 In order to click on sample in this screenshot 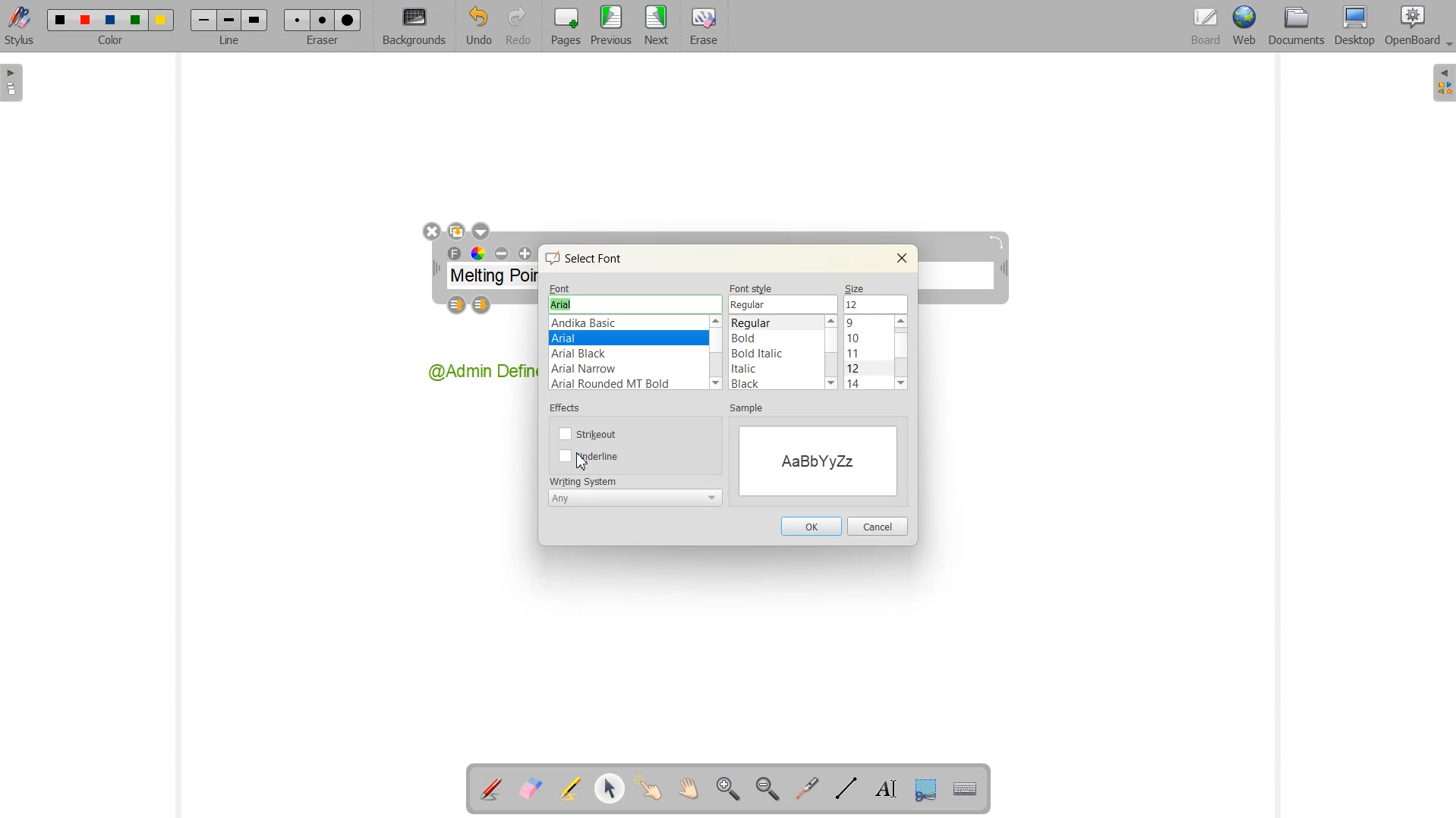, I will do `click(752, 410)`.